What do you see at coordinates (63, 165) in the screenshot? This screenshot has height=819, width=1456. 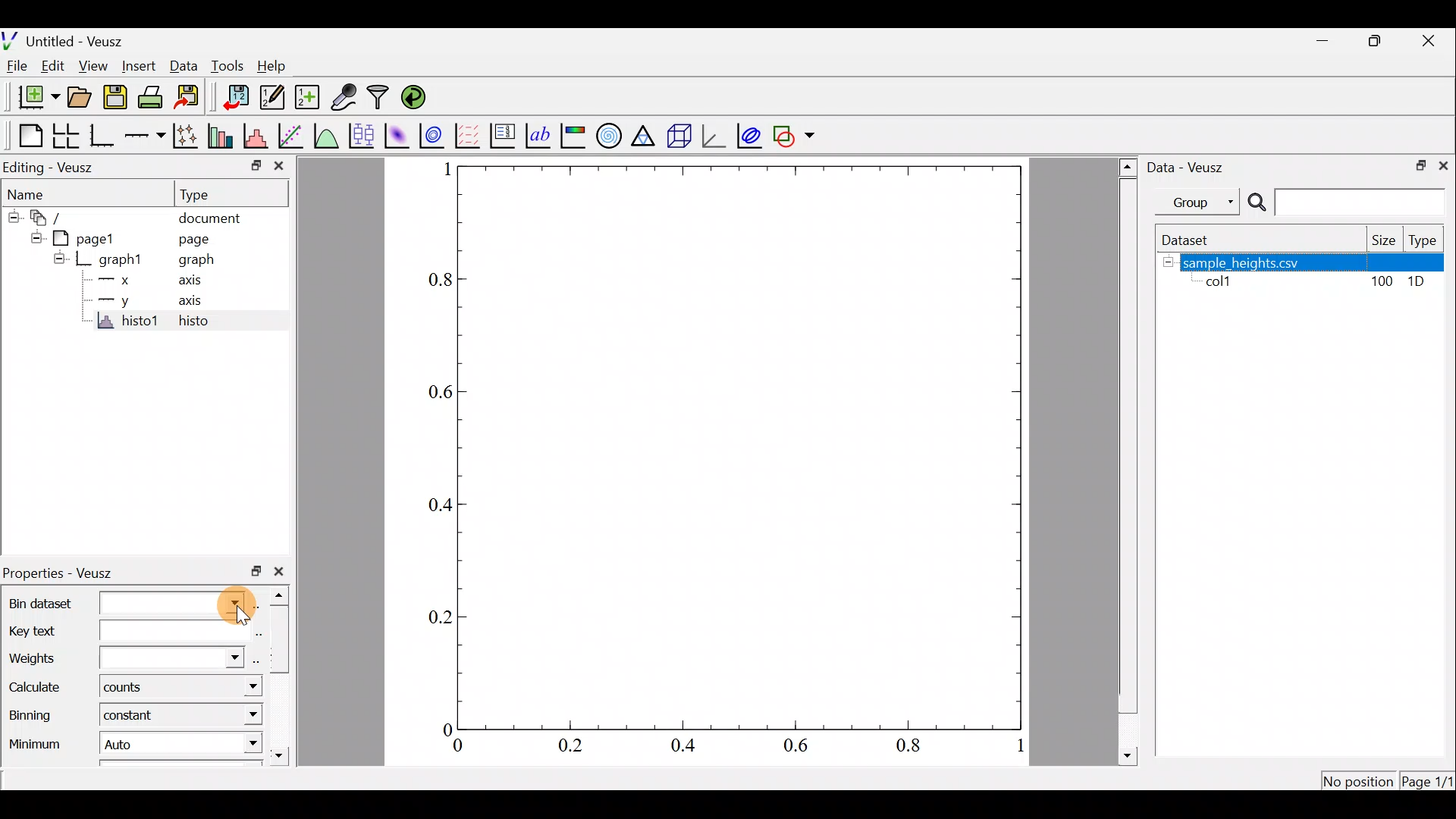 I see `Editing - Veusz` at bounding box center [63, 165].